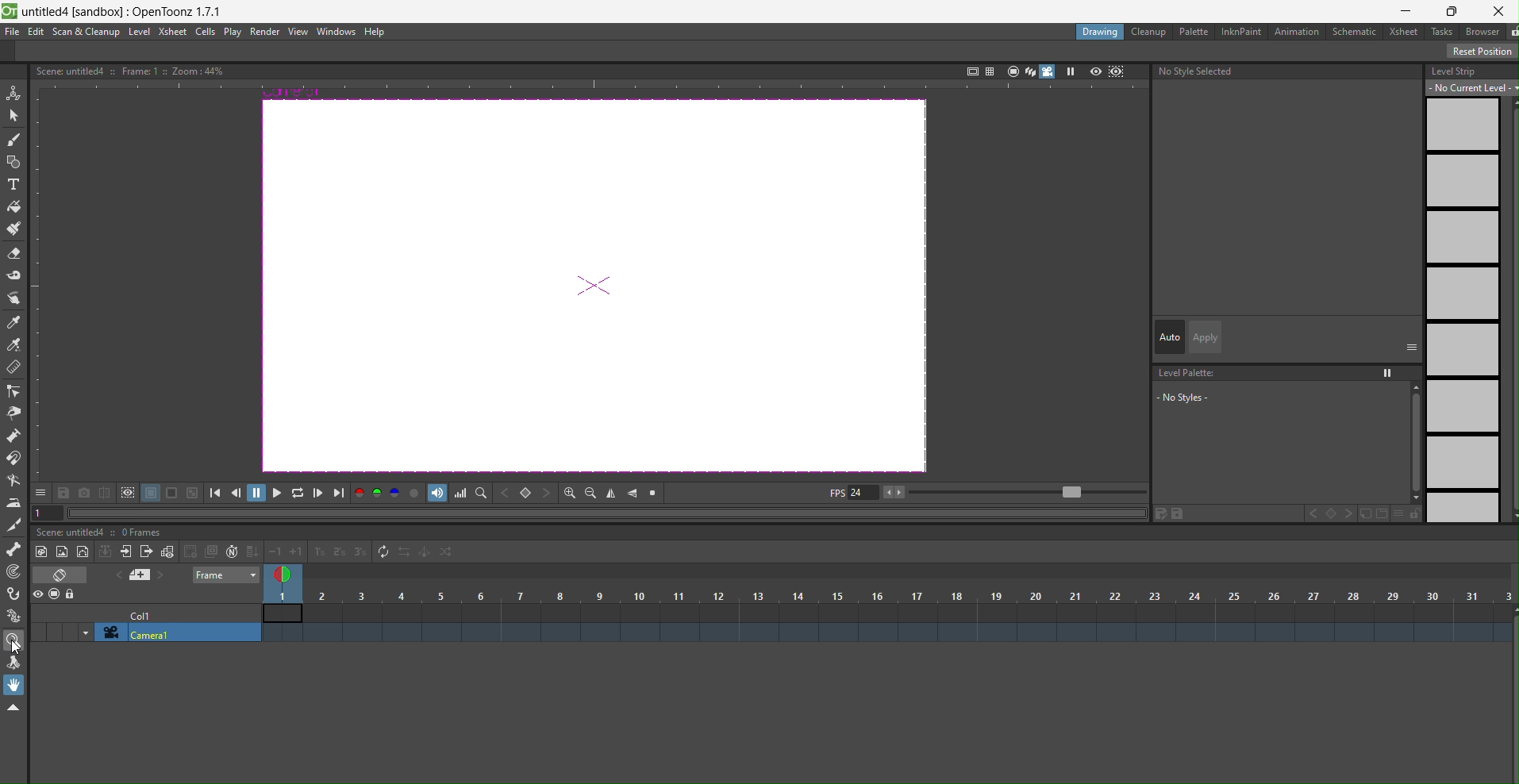 Image resolution: width=1519 pixels, height=784 pixels. Describe the element at coordinates (200, 551) in the screenshot. I see `icon` at that location.